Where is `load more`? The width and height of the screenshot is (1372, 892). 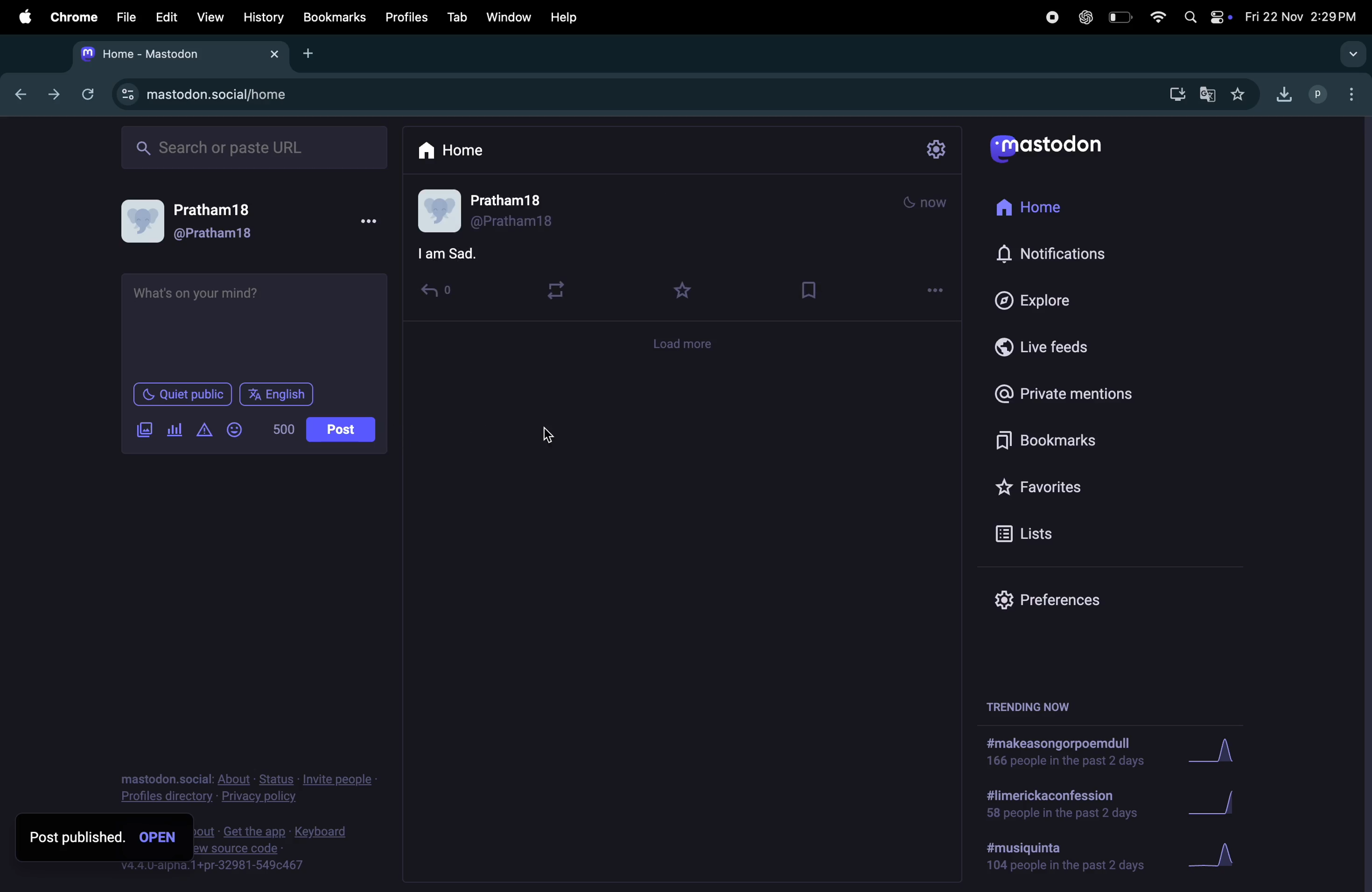 load more is located at coordinates (681, 344).